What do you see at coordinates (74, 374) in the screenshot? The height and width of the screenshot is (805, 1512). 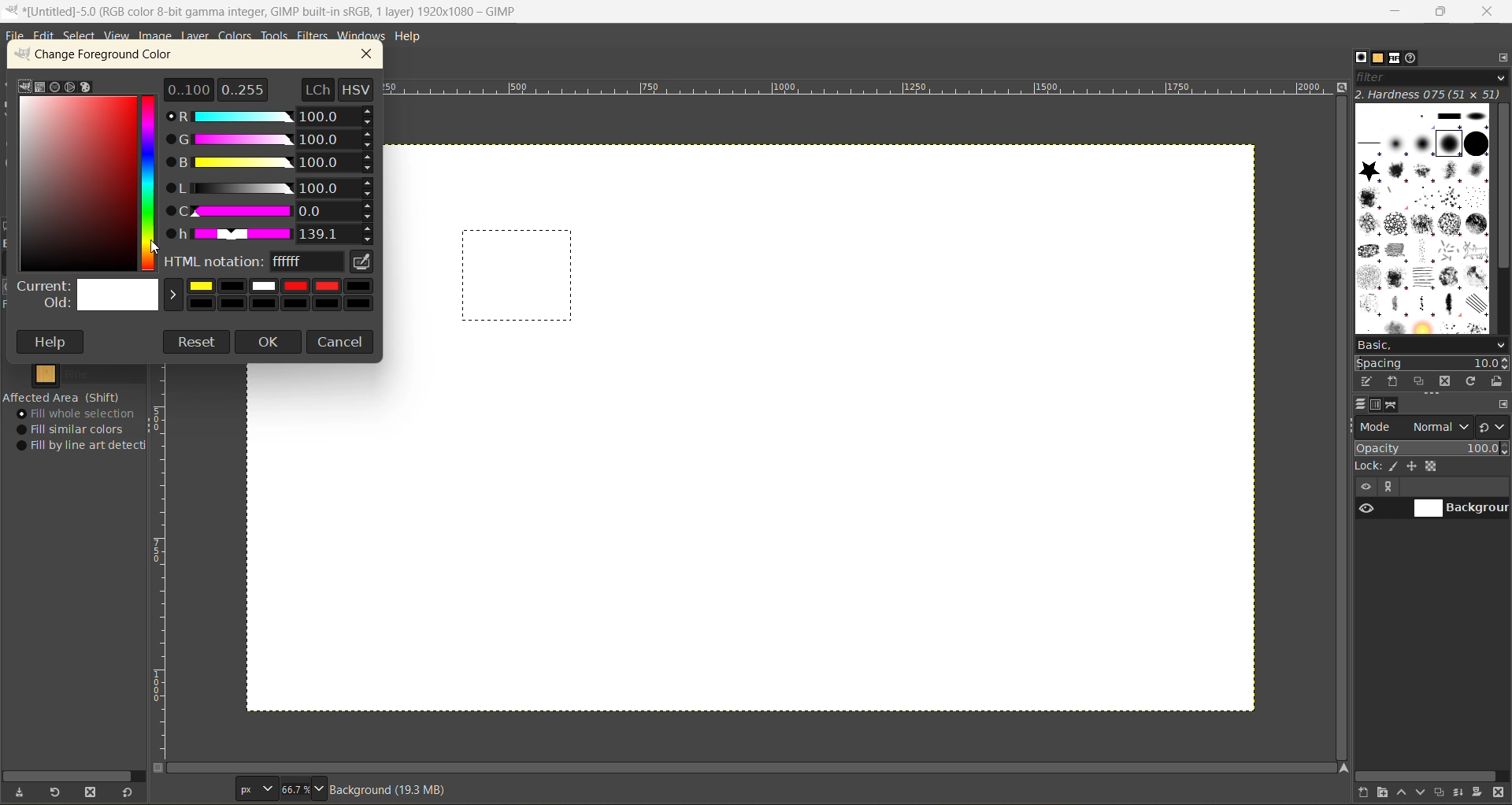 I see `pattern` at bounding box center [74, 374].